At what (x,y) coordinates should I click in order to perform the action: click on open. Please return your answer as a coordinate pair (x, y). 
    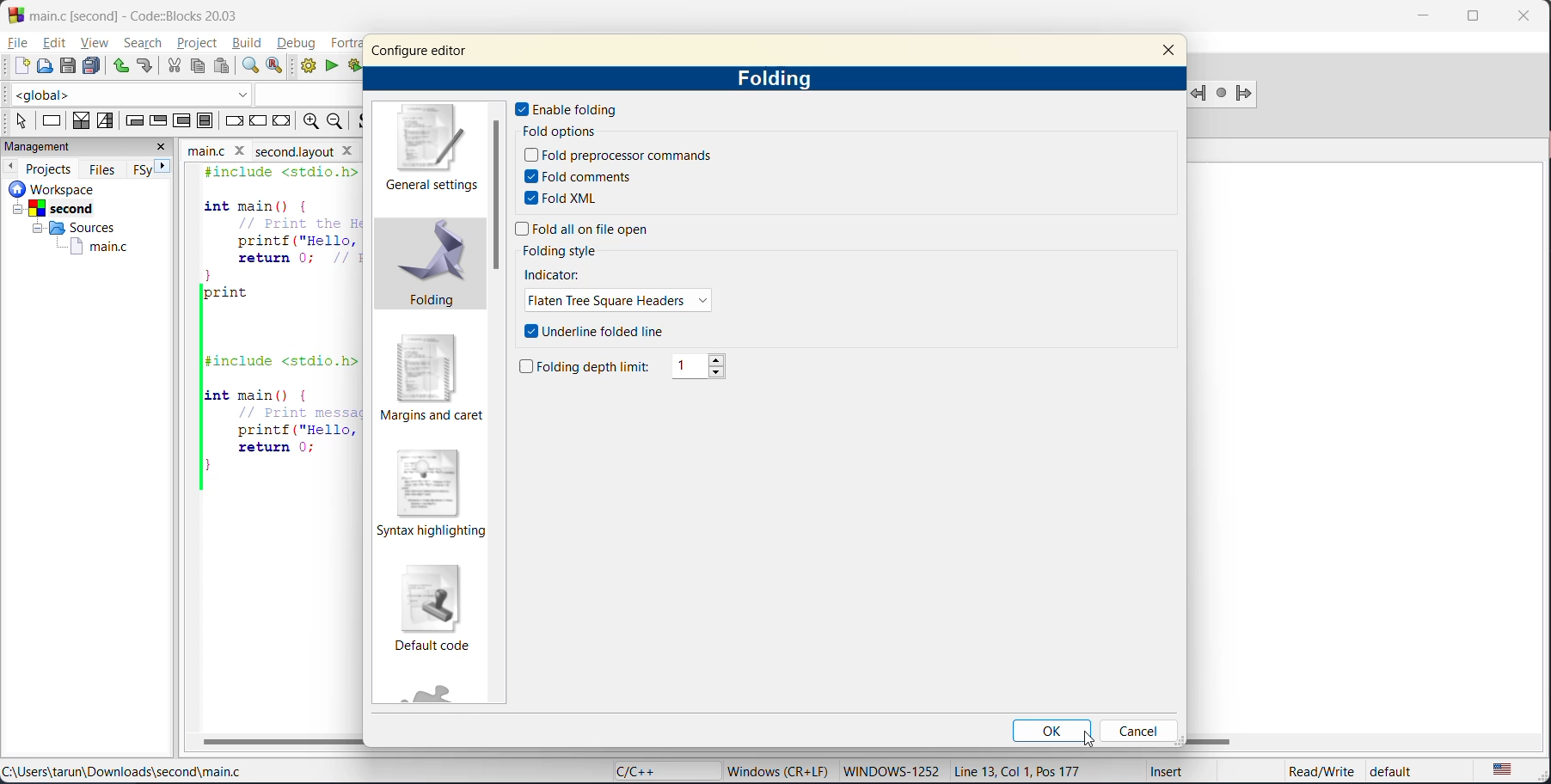
    Looking at the image, I should click on (43, 67).